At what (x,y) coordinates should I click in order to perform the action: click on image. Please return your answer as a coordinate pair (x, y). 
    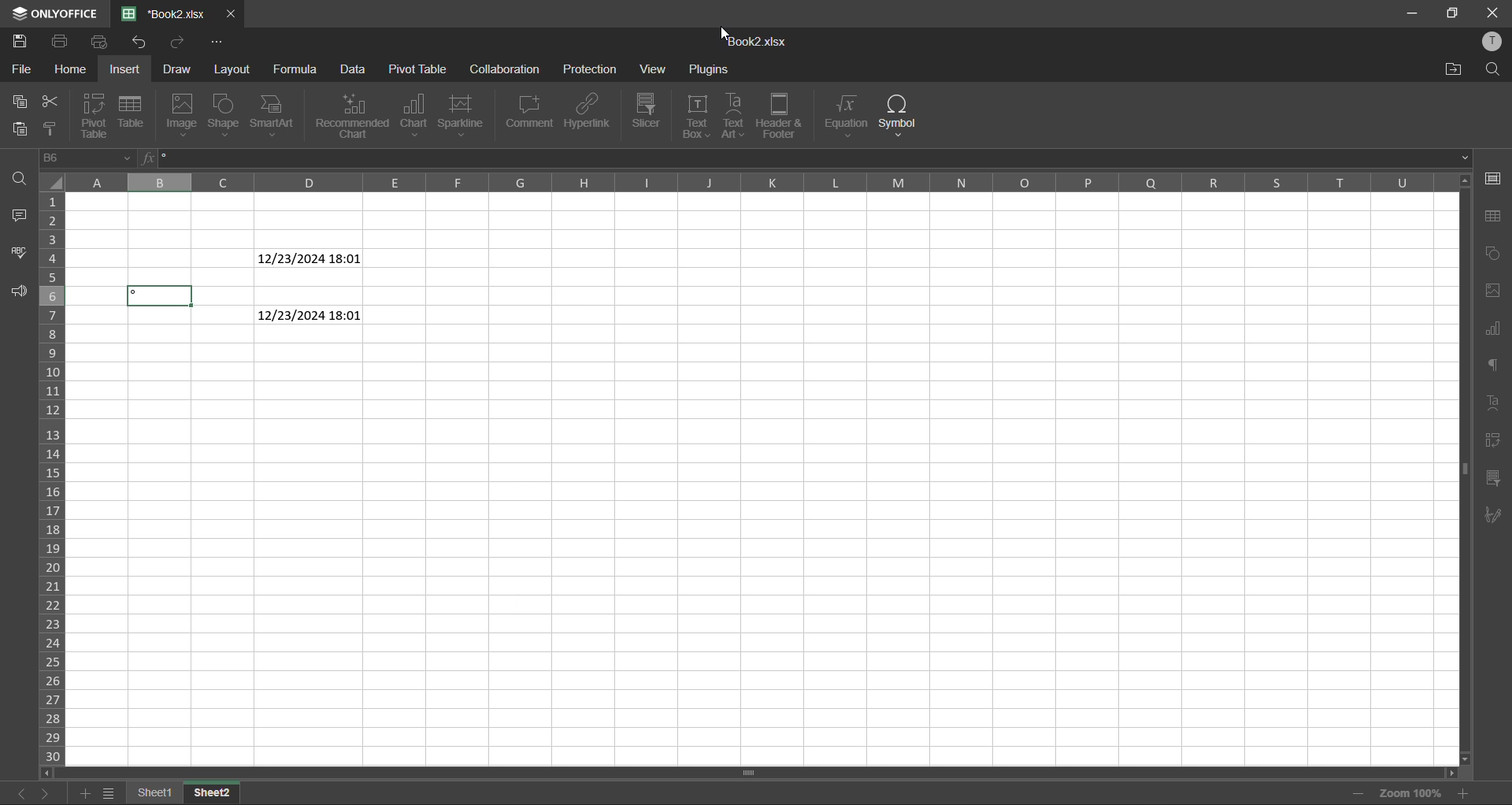
    Looking at the image, I should click on (1492, 291).